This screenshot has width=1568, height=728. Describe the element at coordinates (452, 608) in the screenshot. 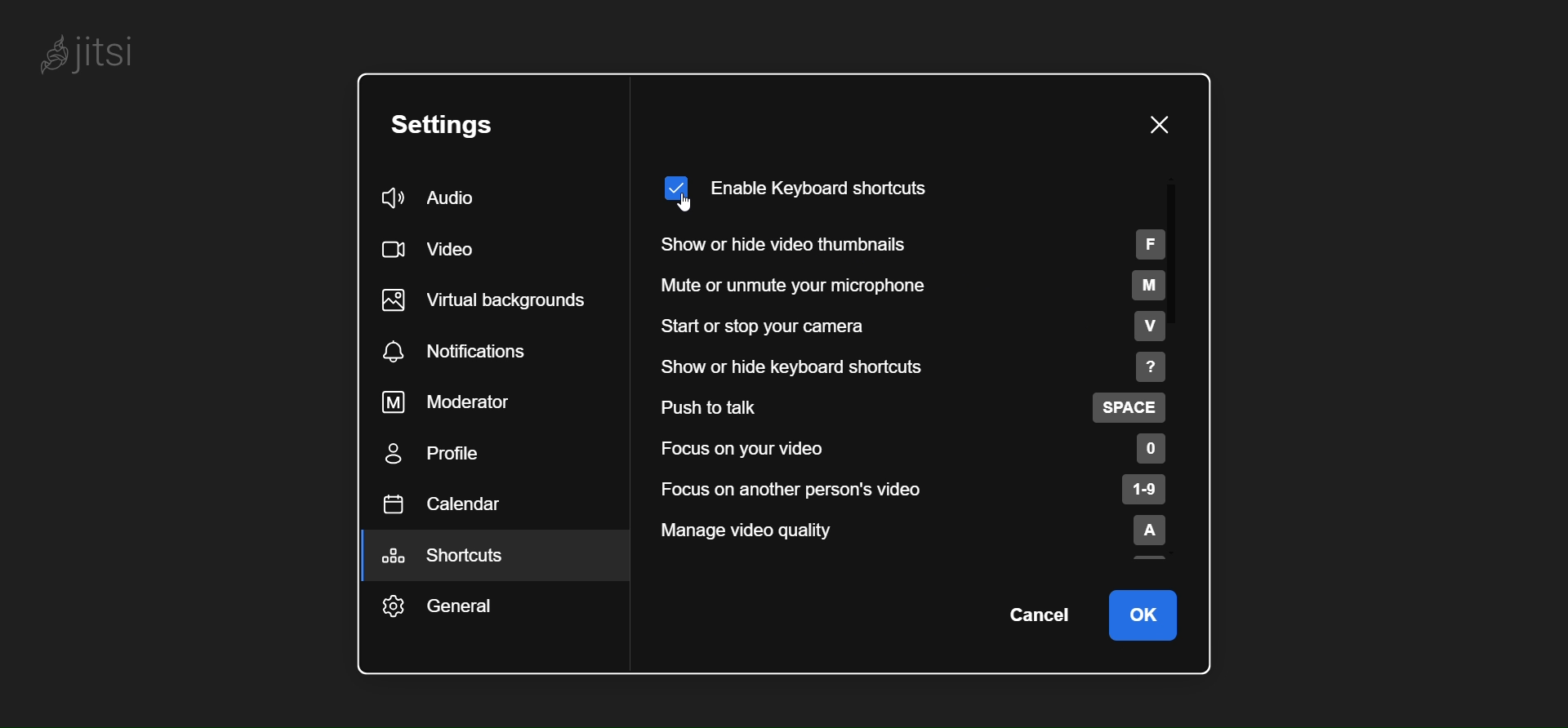

I see `general` at that location.